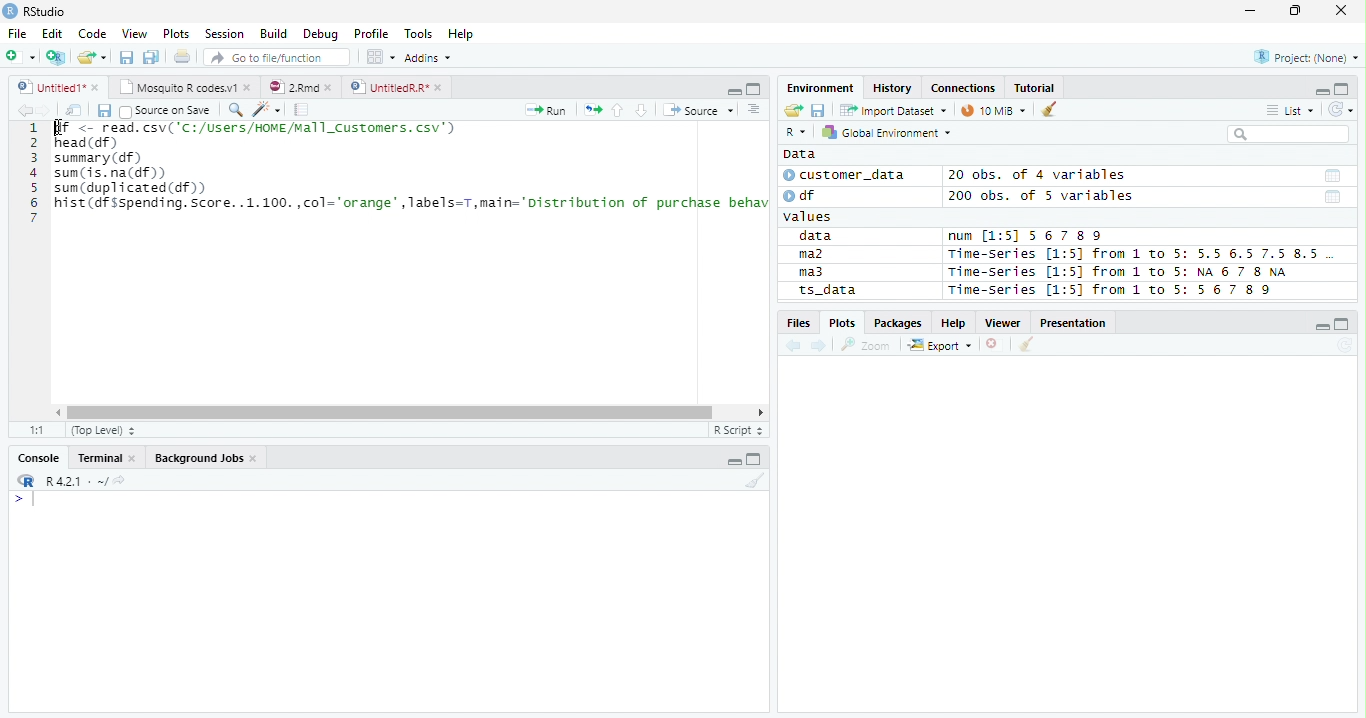 The image size is (1366, 718). What do you see at coordinates (51, 32) in the screenshot?
I see `Edit` at bounding box center [51, 32].